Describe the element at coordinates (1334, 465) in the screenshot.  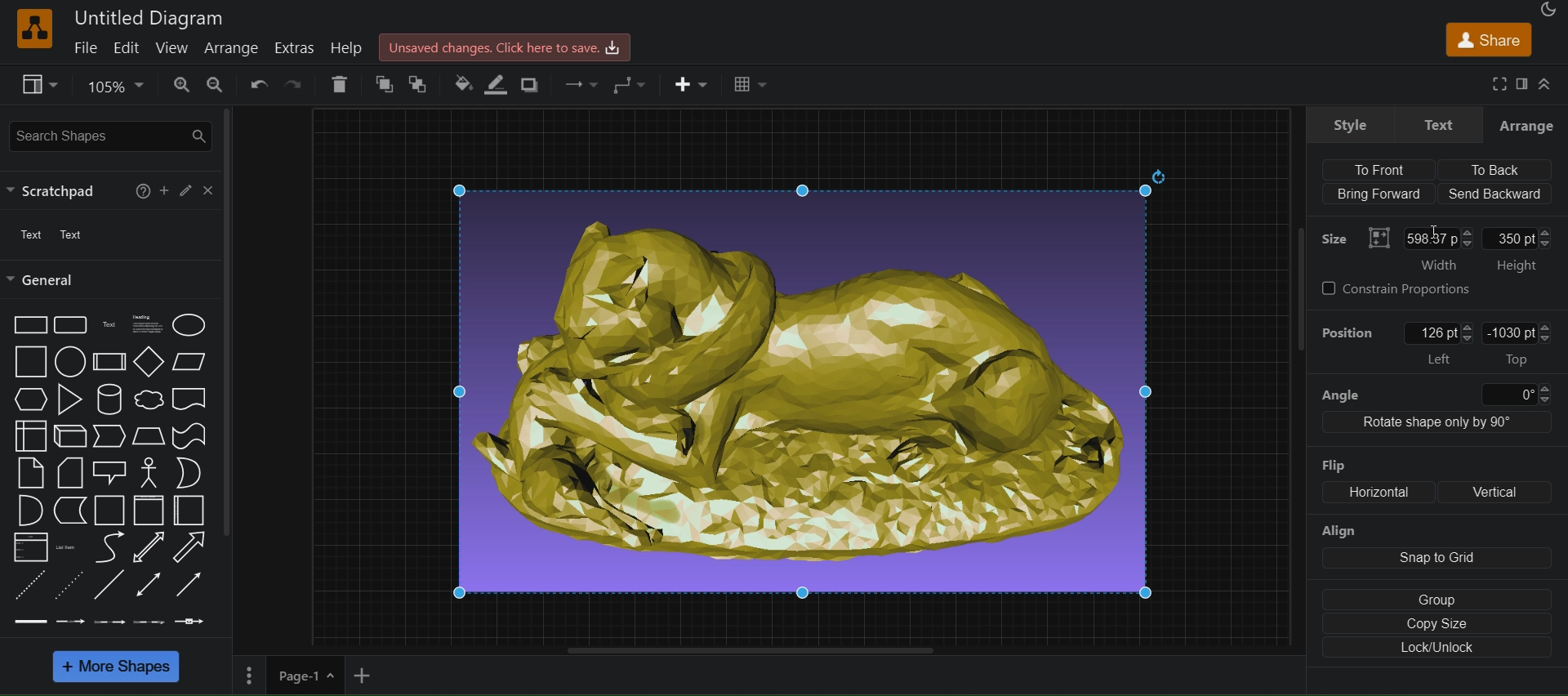
I see `Flip` at that location.